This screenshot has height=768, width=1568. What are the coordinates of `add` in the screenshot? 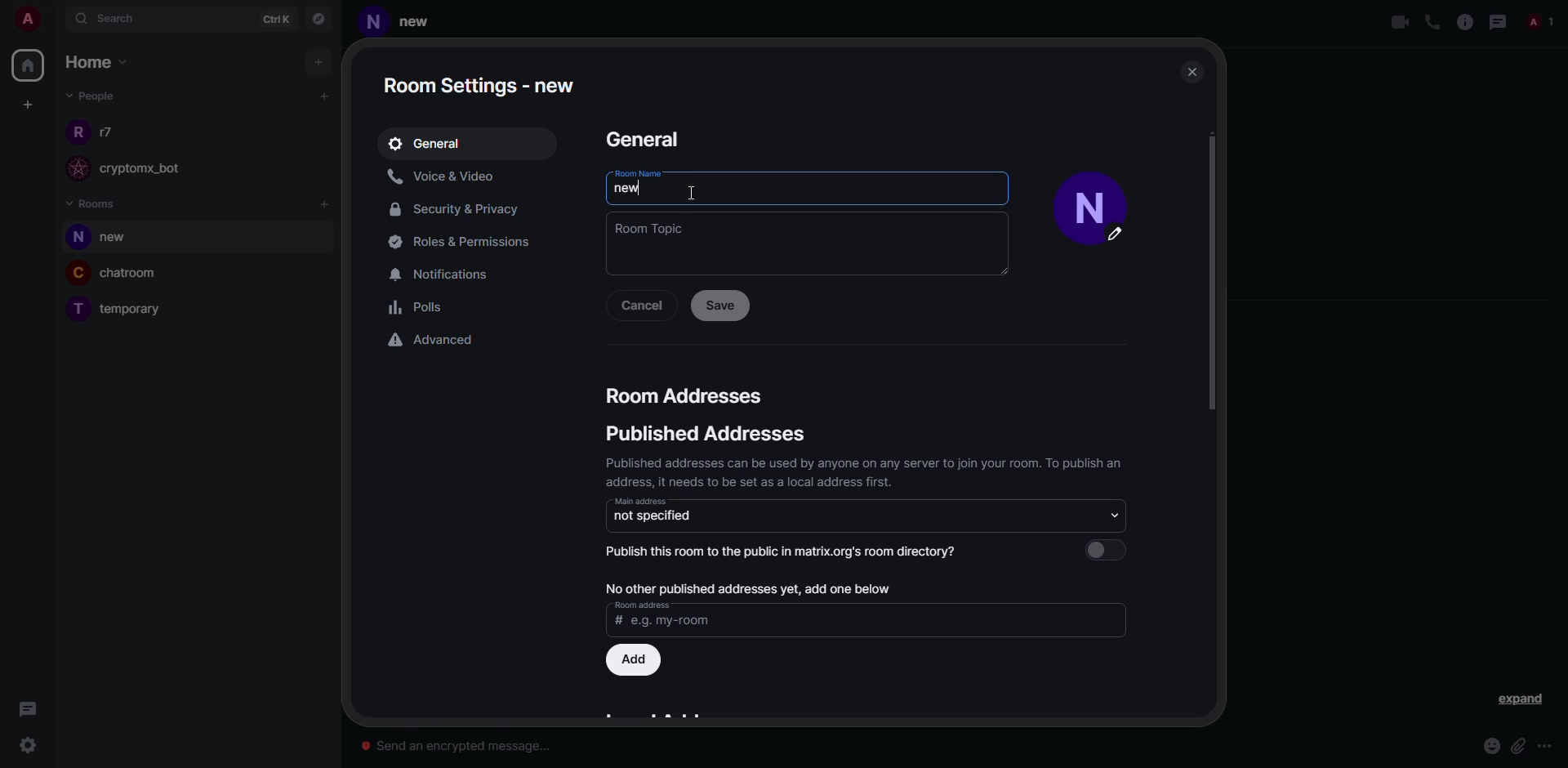 It's located at (636, 659).